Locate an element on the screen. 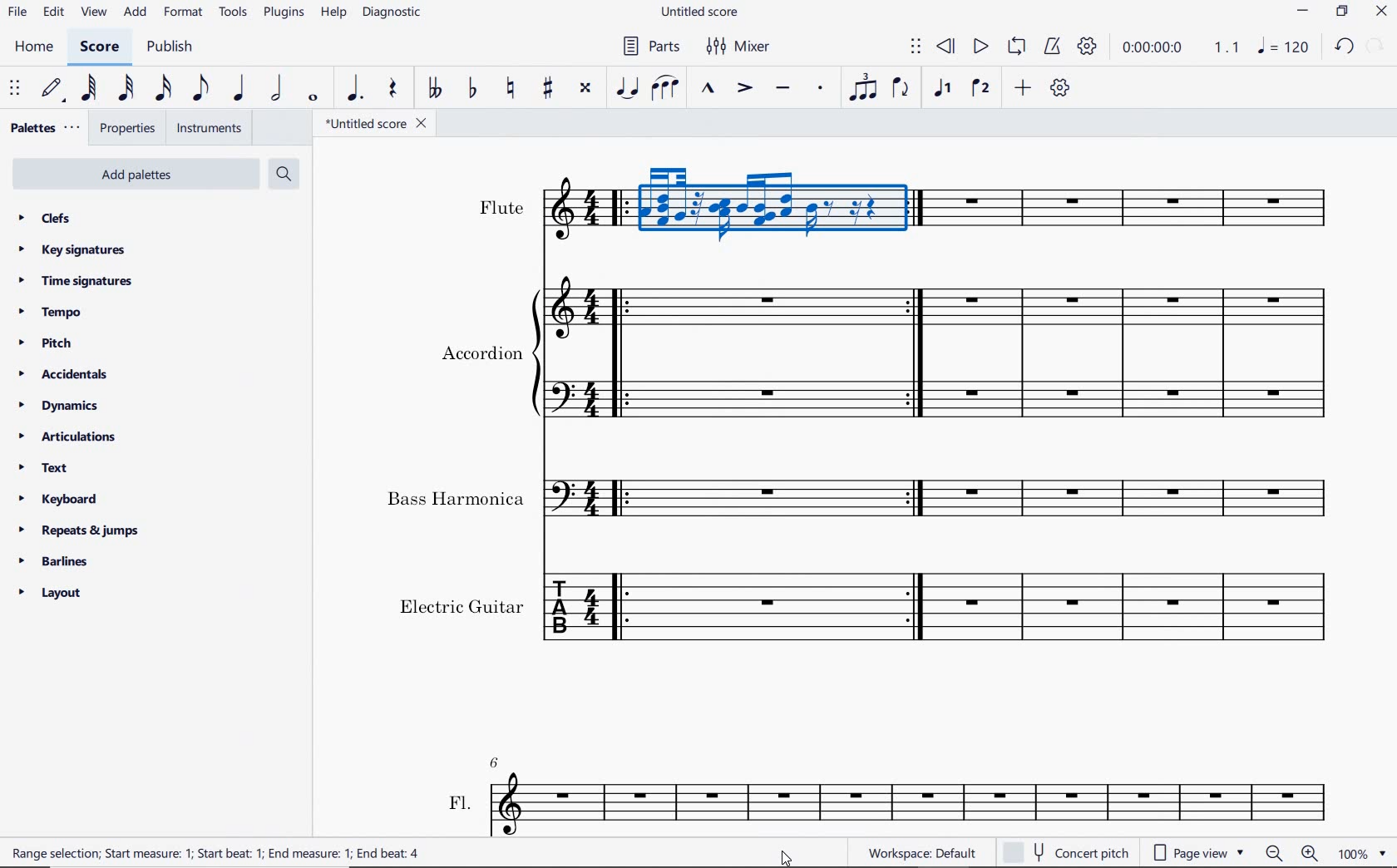  key signatures is located at coordinates (72, 250).